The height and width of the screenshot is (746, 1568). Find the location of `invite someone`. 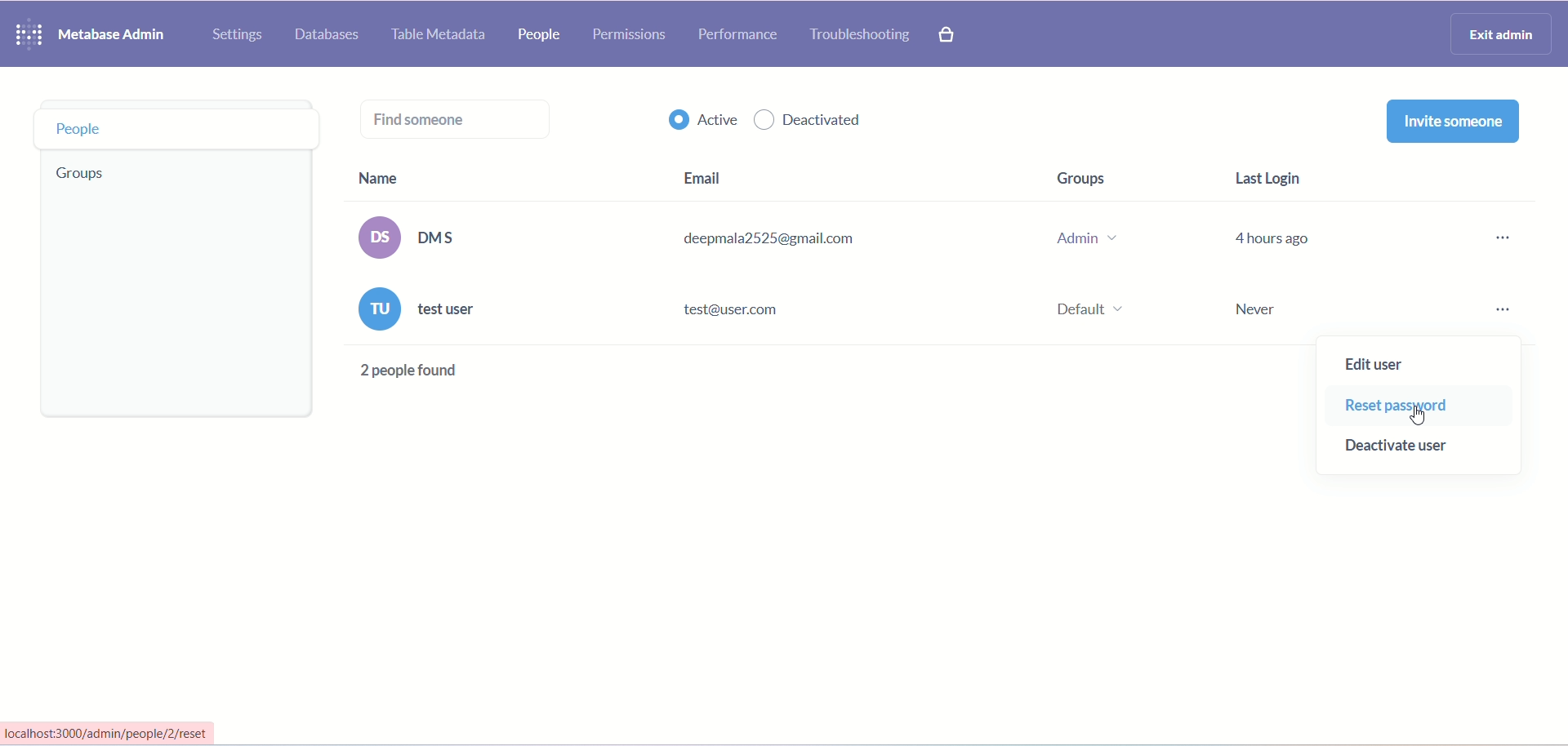

invite someone is located at coordinates (1451, 123).